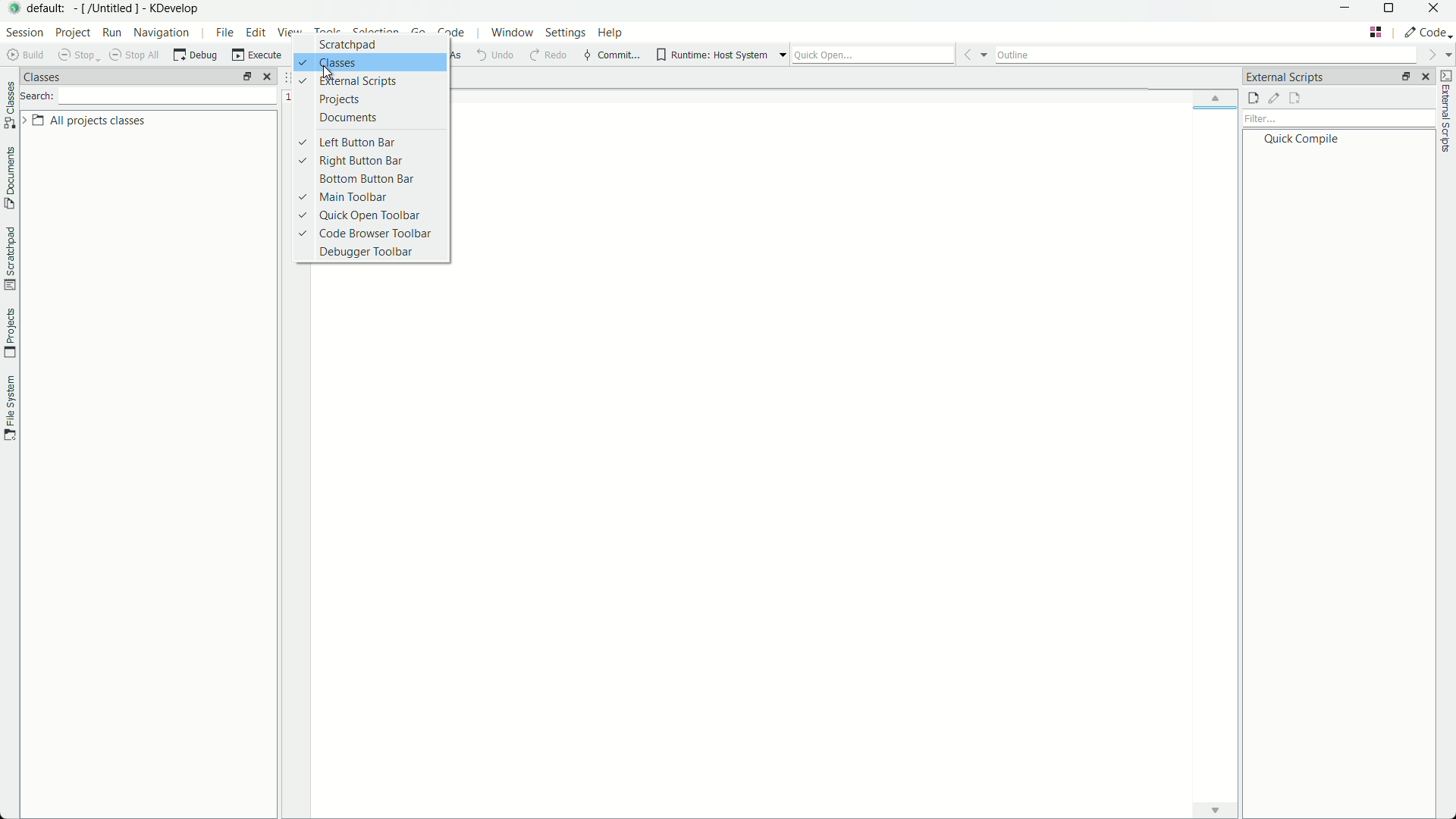 This screenshot has width=1456, height=819. I want to click on projects, so click(9, 331).